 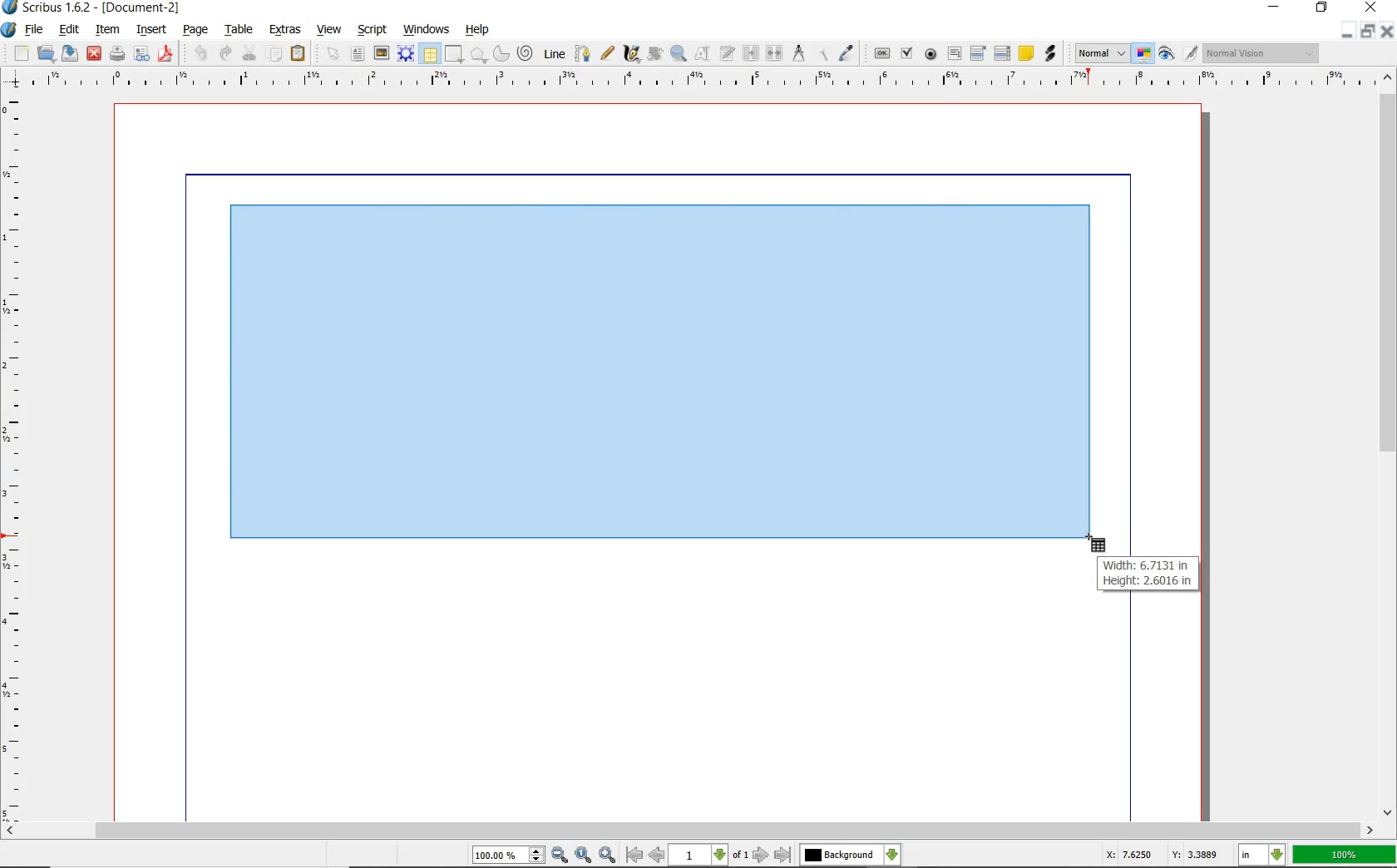 I want to click on table, so click(x=241, y=31).